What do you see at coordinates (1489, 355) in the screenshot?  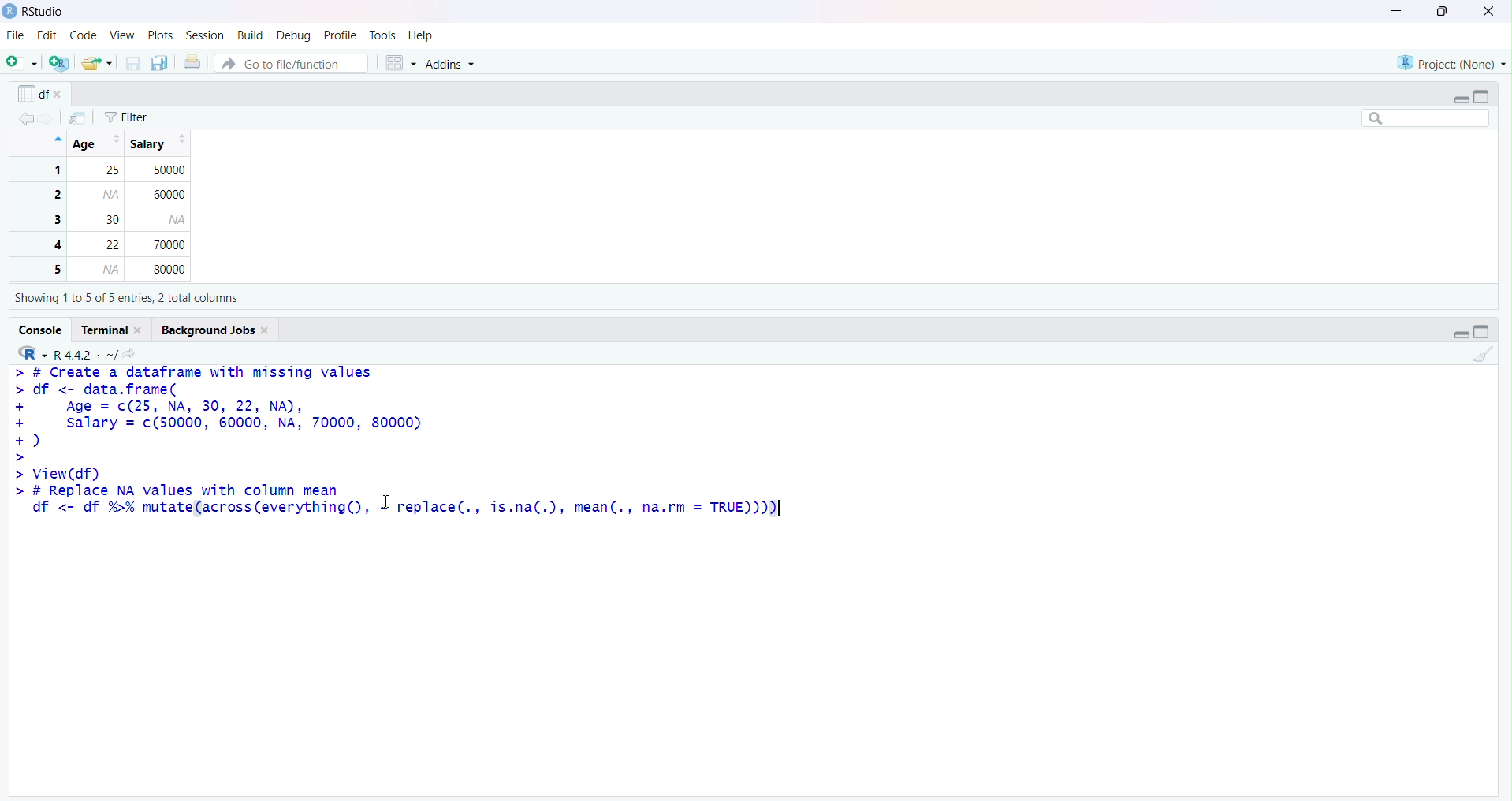 I see `Clear Console (Ctrl + L)` at bounding box center [1489, 355].